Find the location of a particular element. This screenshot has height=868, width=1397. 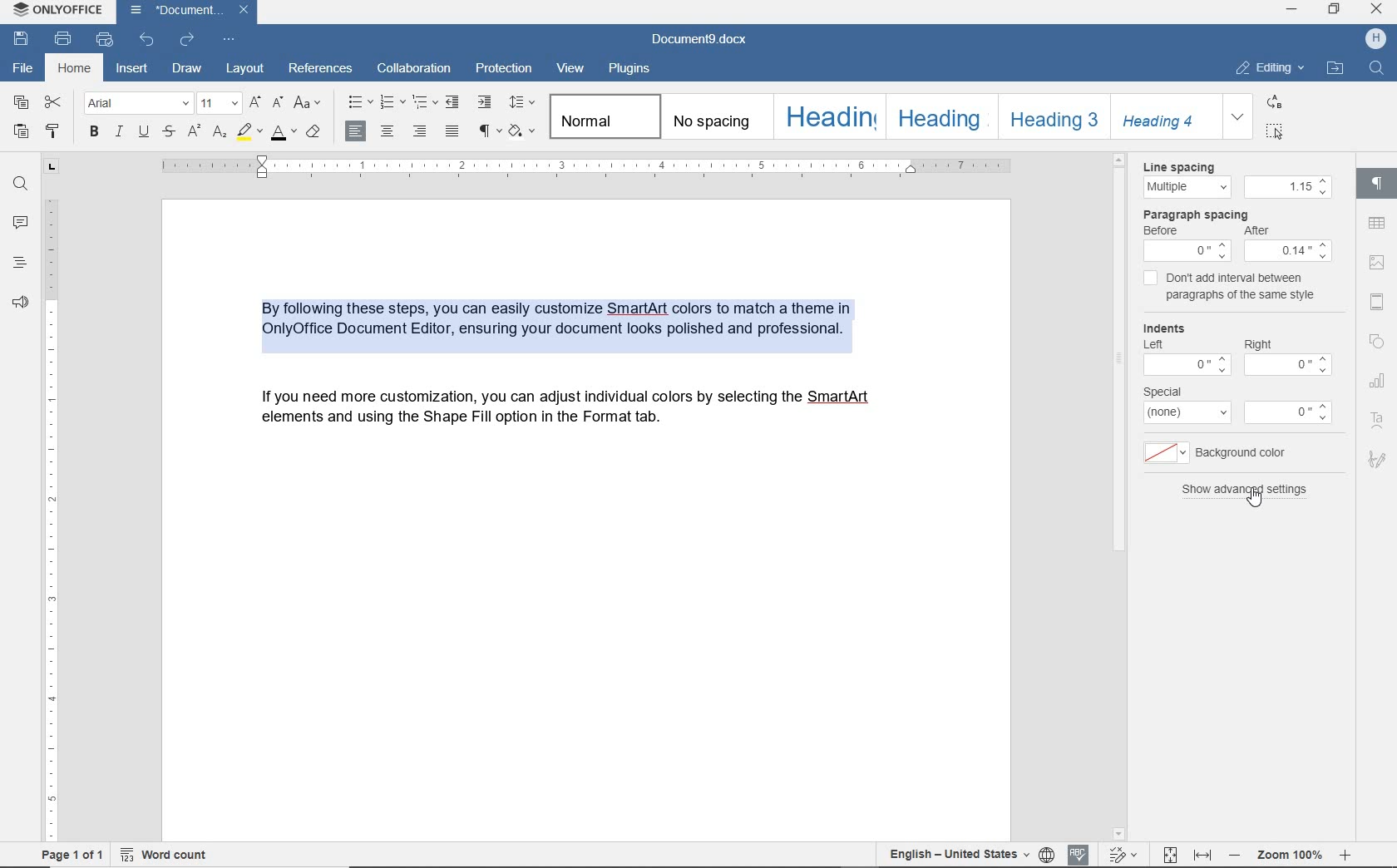

document name is located at coordinates (700, 36).